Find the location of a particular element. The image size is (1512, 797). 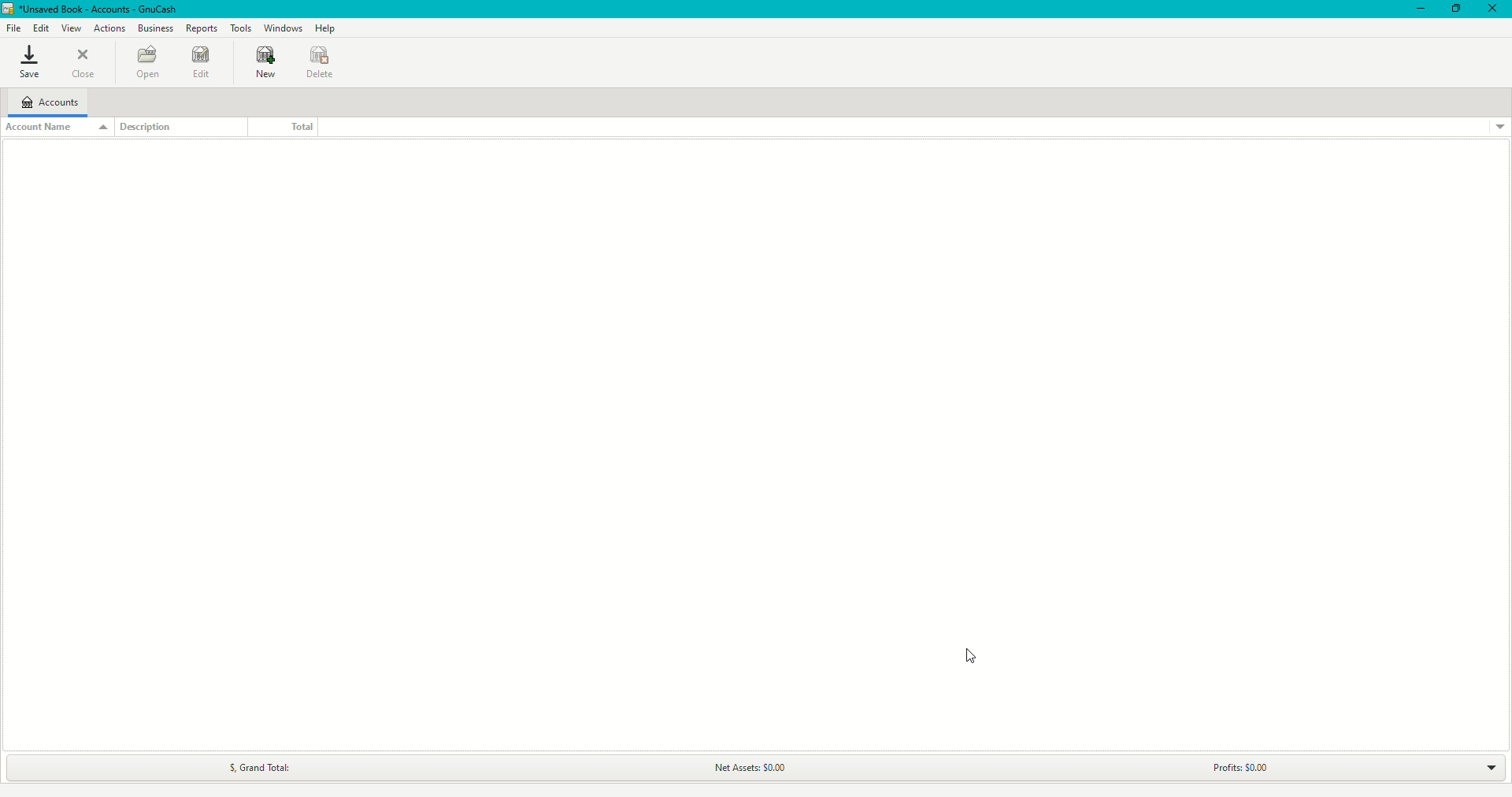

cursor is located at coordinates (973, 656).